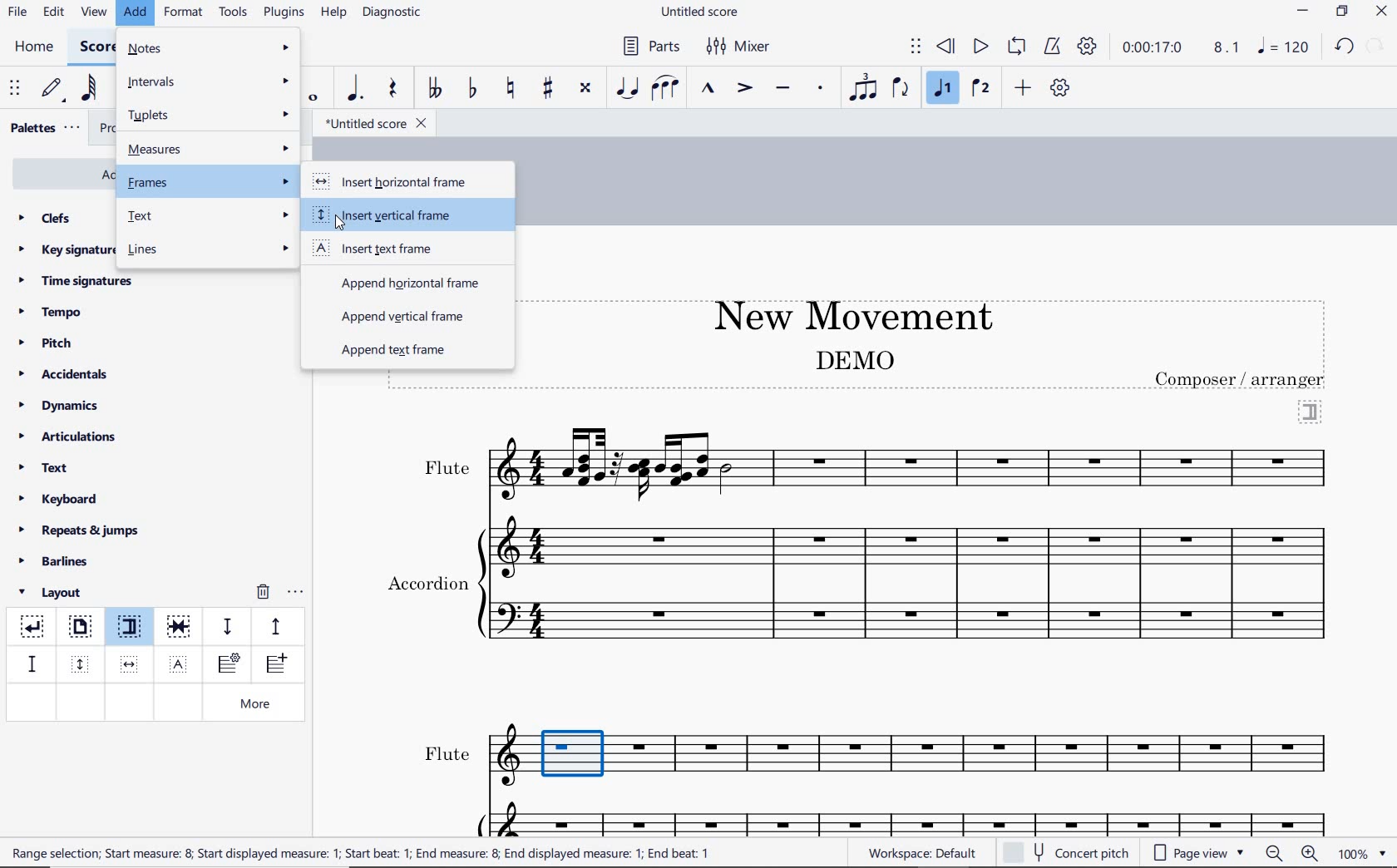 This screenshot has height=868, width=1397. I want to click on layout, so click(53, 593).